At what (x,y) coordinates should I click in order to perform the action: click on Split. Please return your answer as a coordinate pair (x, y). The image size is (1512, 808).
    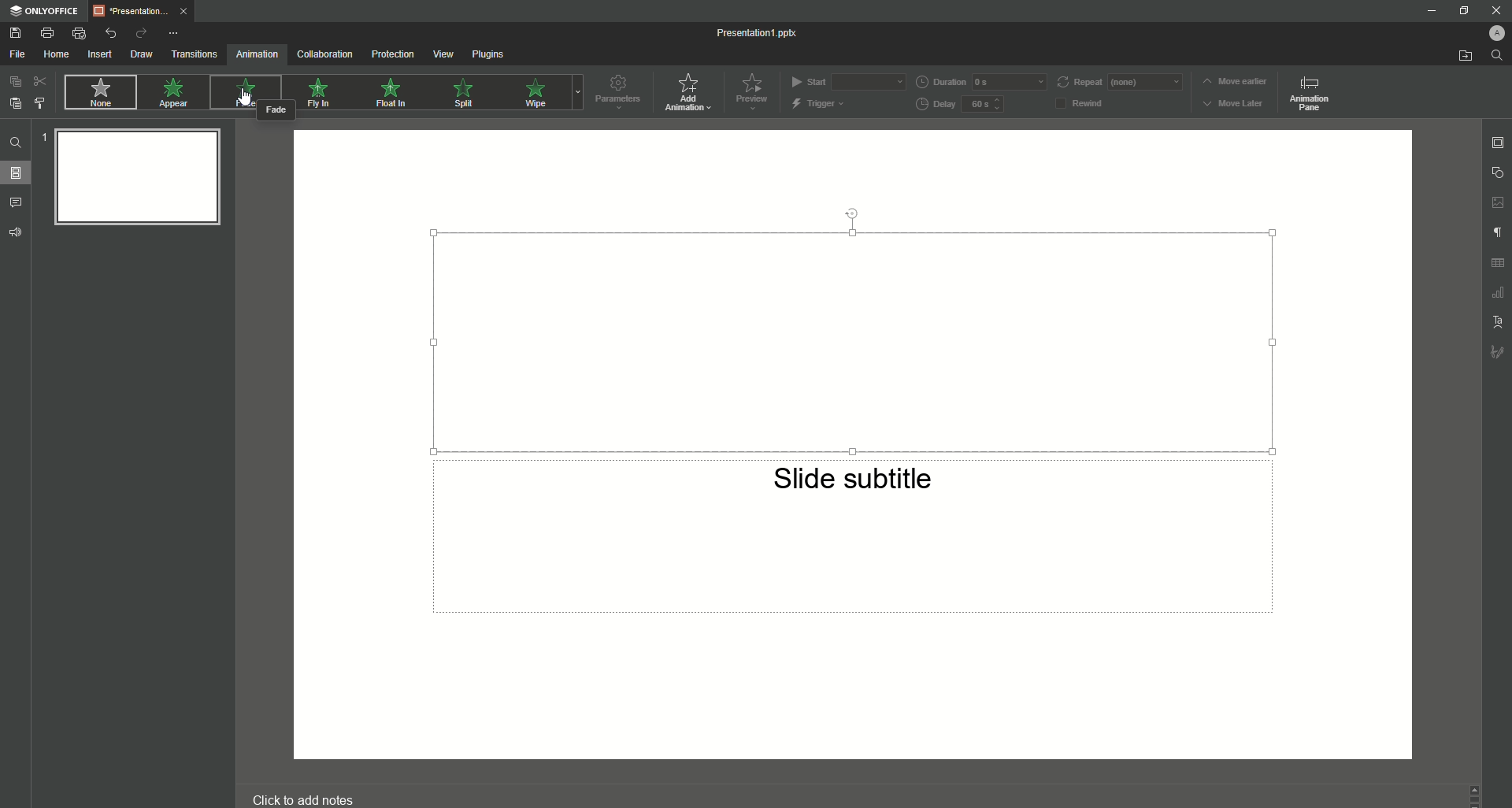
    Looking at the image, I should click on (469, 92).